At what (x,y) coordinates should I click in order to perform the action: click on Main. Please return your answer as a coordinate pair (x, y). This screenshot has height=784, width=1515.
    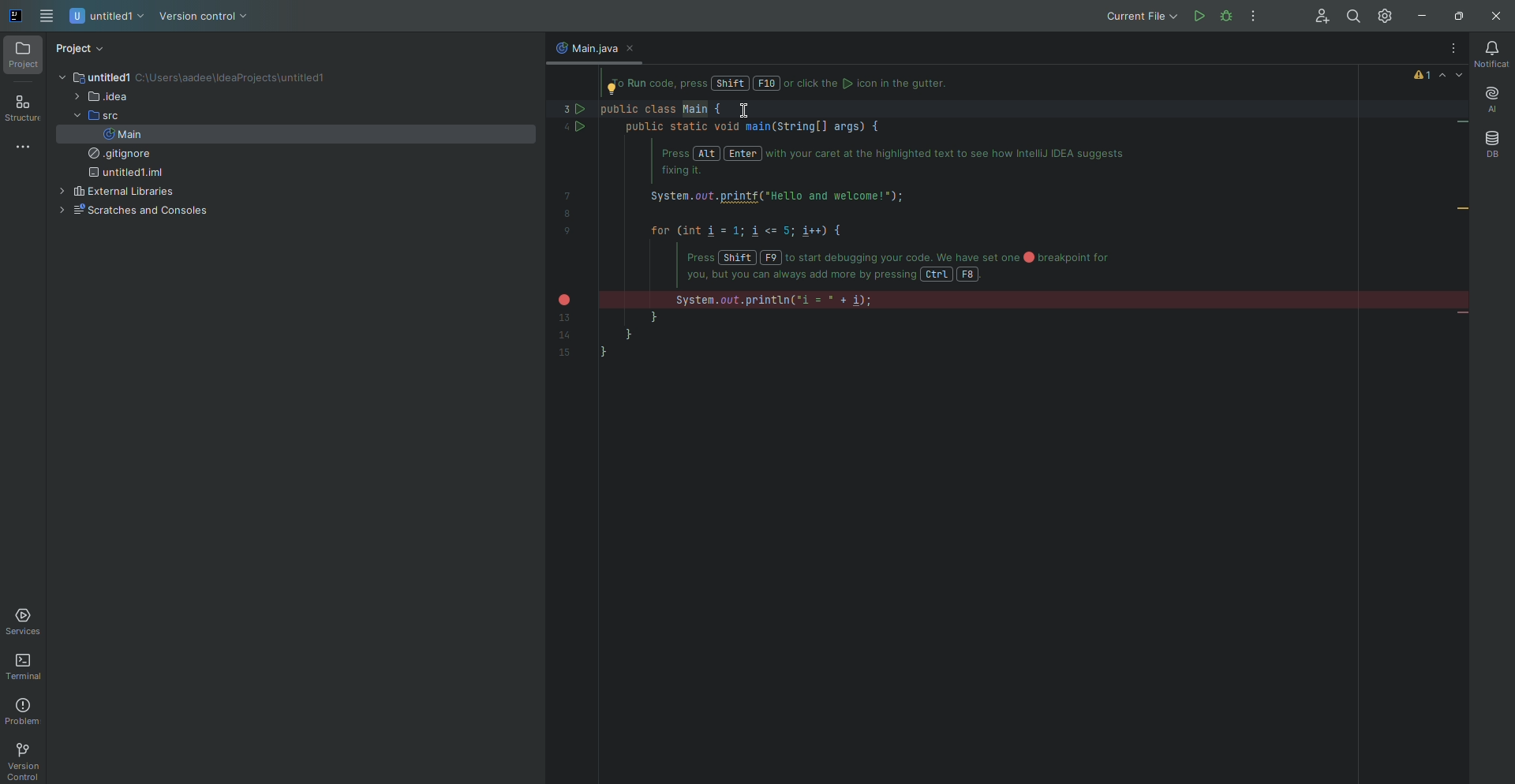
    Looking at the image, I should click on (122, 134).